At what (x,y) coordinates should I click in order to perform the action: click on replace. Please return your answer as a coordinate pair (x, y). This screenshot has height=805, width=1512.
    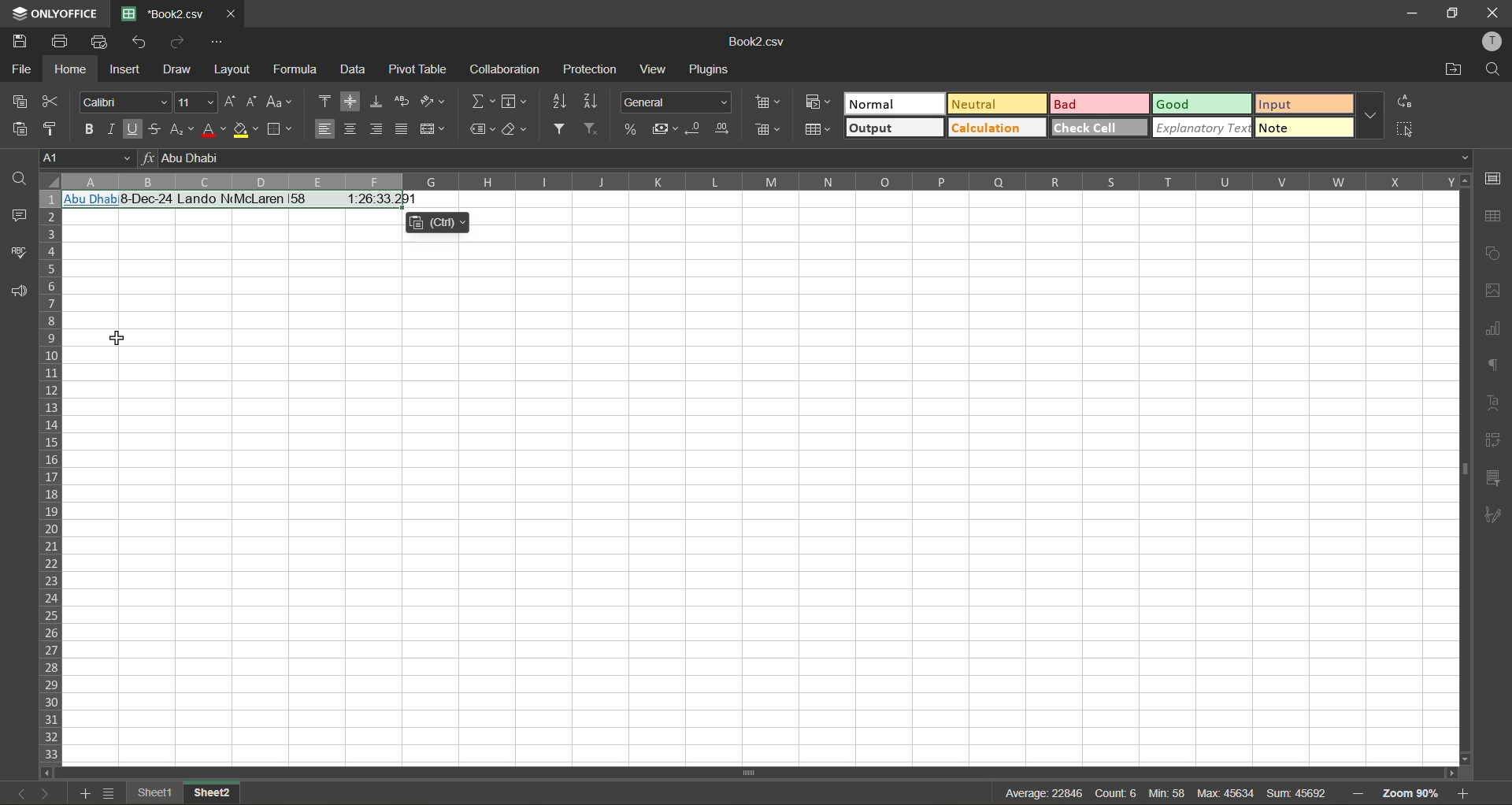
    Looking at the image, I should click on (1406, 102).